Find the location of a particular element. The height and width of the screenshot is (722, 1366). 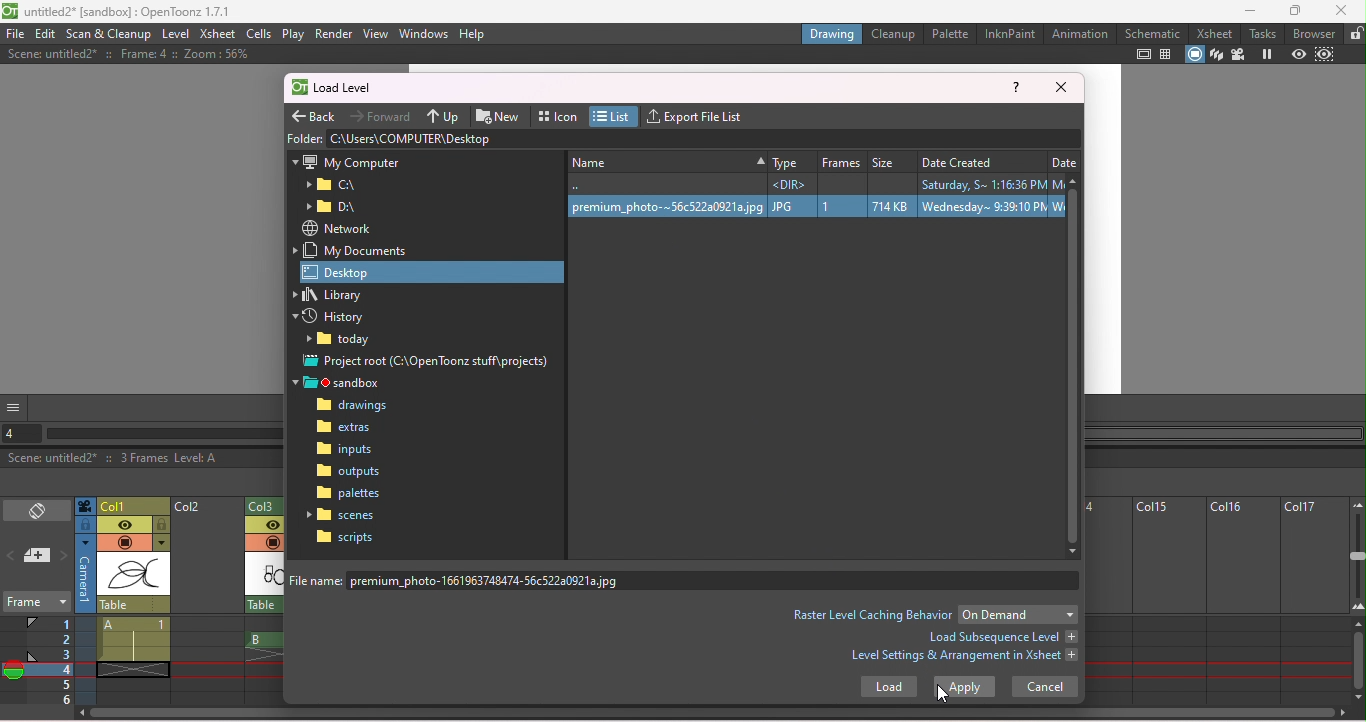

click to select the parent object is located at coordinates (134, 605).